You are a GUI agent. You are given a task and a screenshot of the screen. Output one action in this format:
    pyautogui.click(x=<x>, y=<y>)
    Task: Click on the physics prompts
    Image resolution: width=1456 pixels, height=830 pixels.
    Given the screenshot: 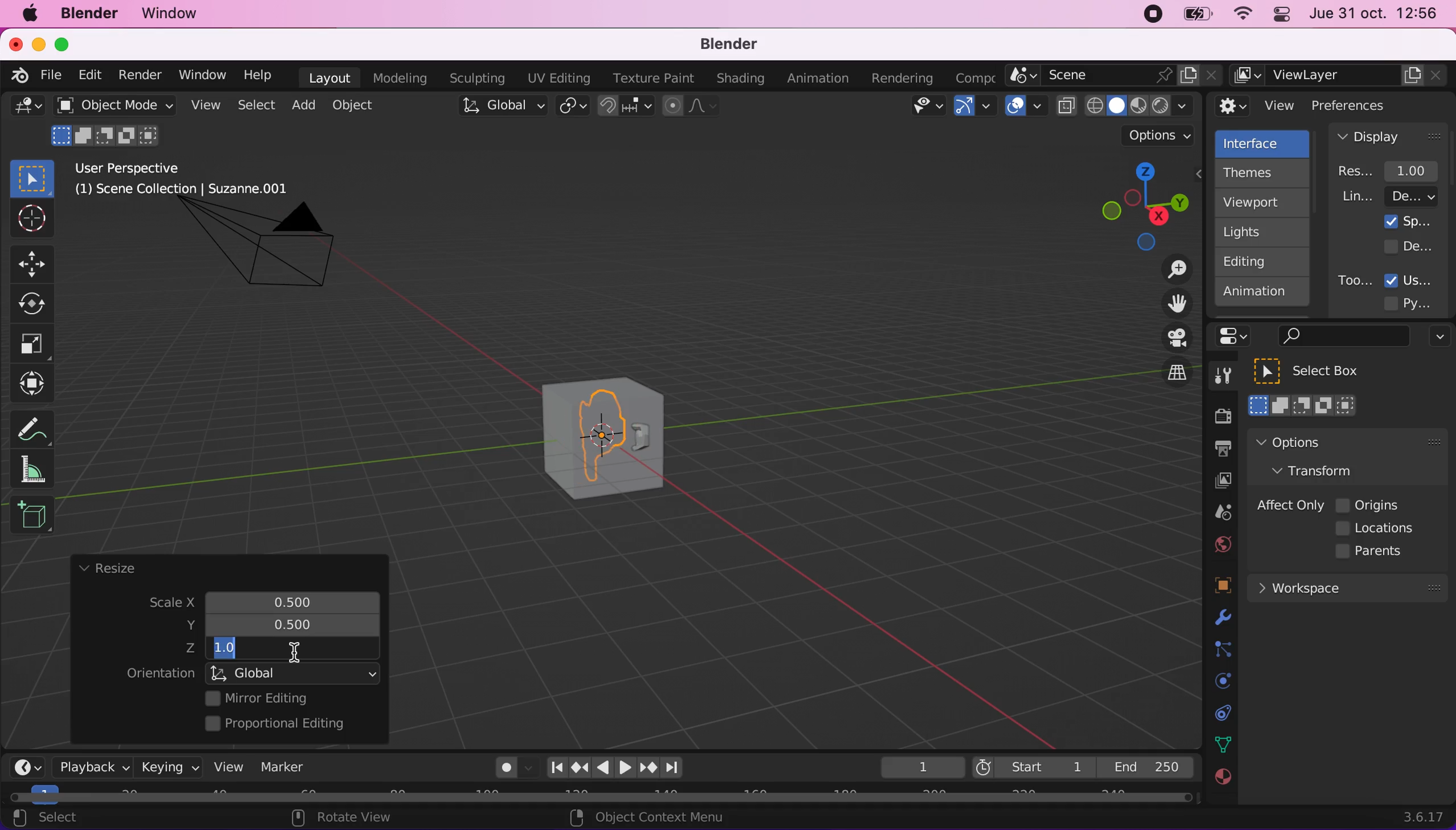 What is the action you would take?
    pyautogui.click(x=1216, y=682)
    